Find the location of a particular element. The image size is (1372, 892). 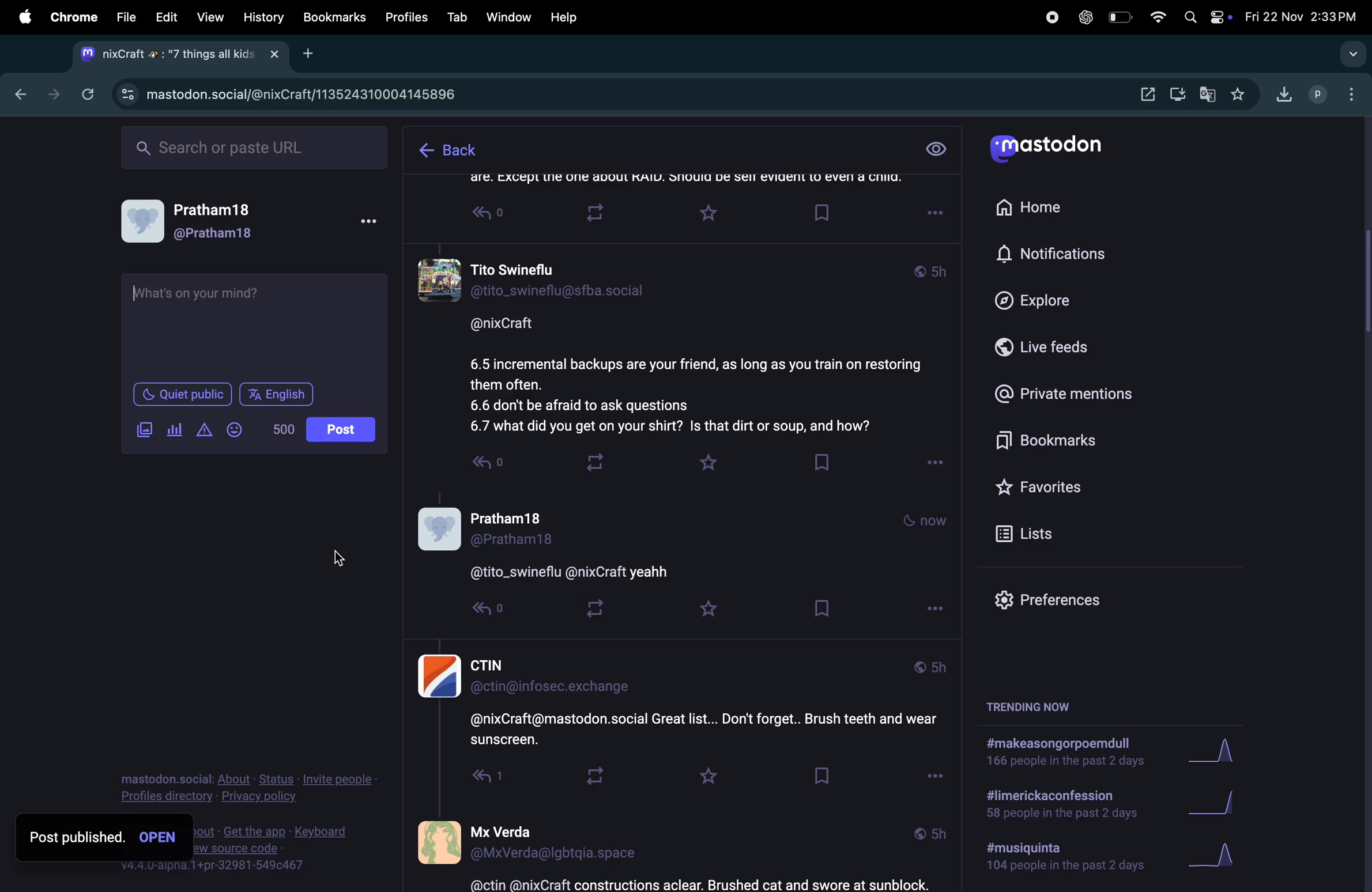

loop is located at coordinates (594, 459).